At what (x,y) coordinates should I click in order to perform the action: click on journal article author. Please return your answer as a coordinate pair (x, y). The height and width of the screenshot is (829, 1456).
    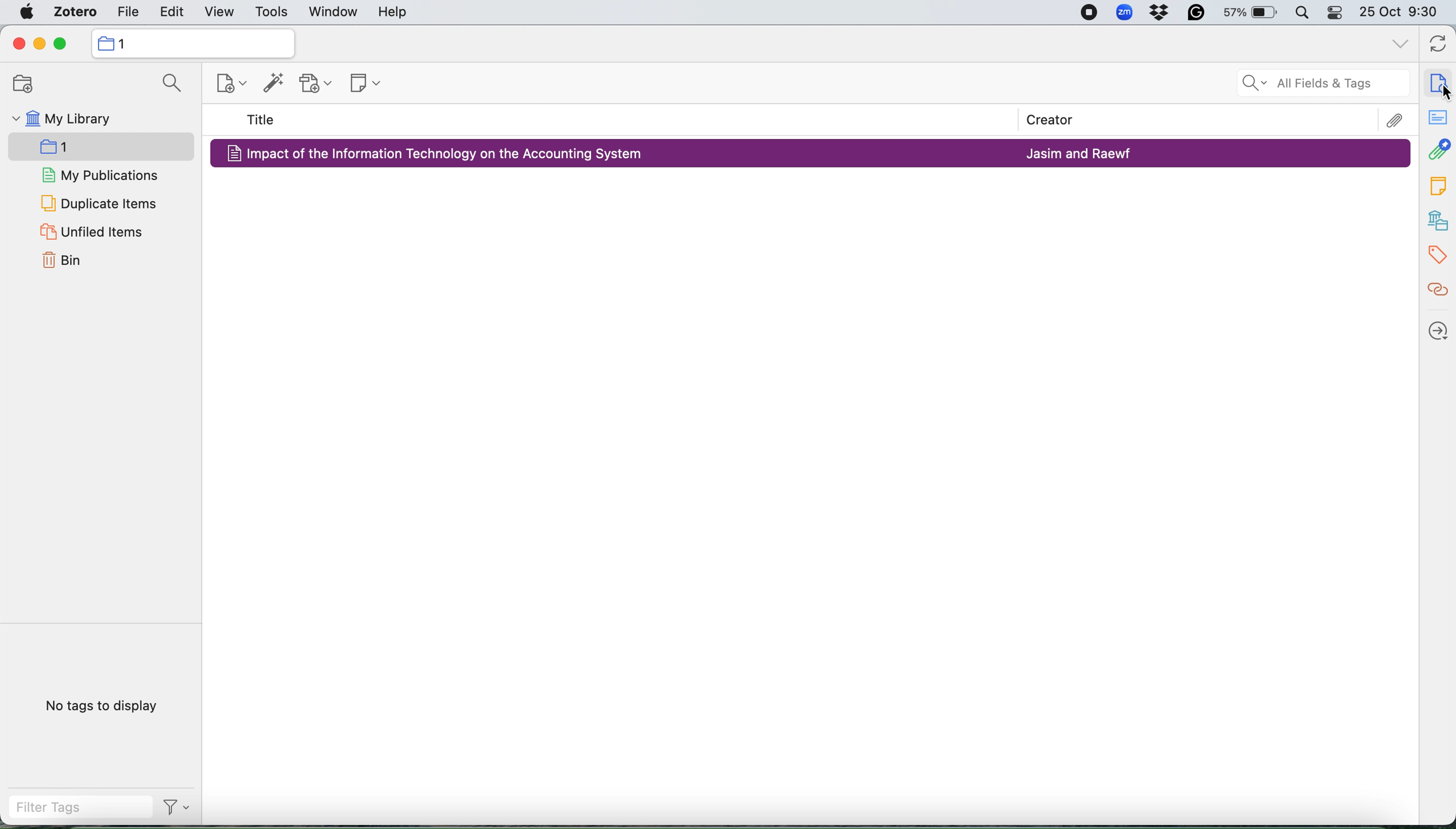
    Looking at the image, I should click on (1081, 152).